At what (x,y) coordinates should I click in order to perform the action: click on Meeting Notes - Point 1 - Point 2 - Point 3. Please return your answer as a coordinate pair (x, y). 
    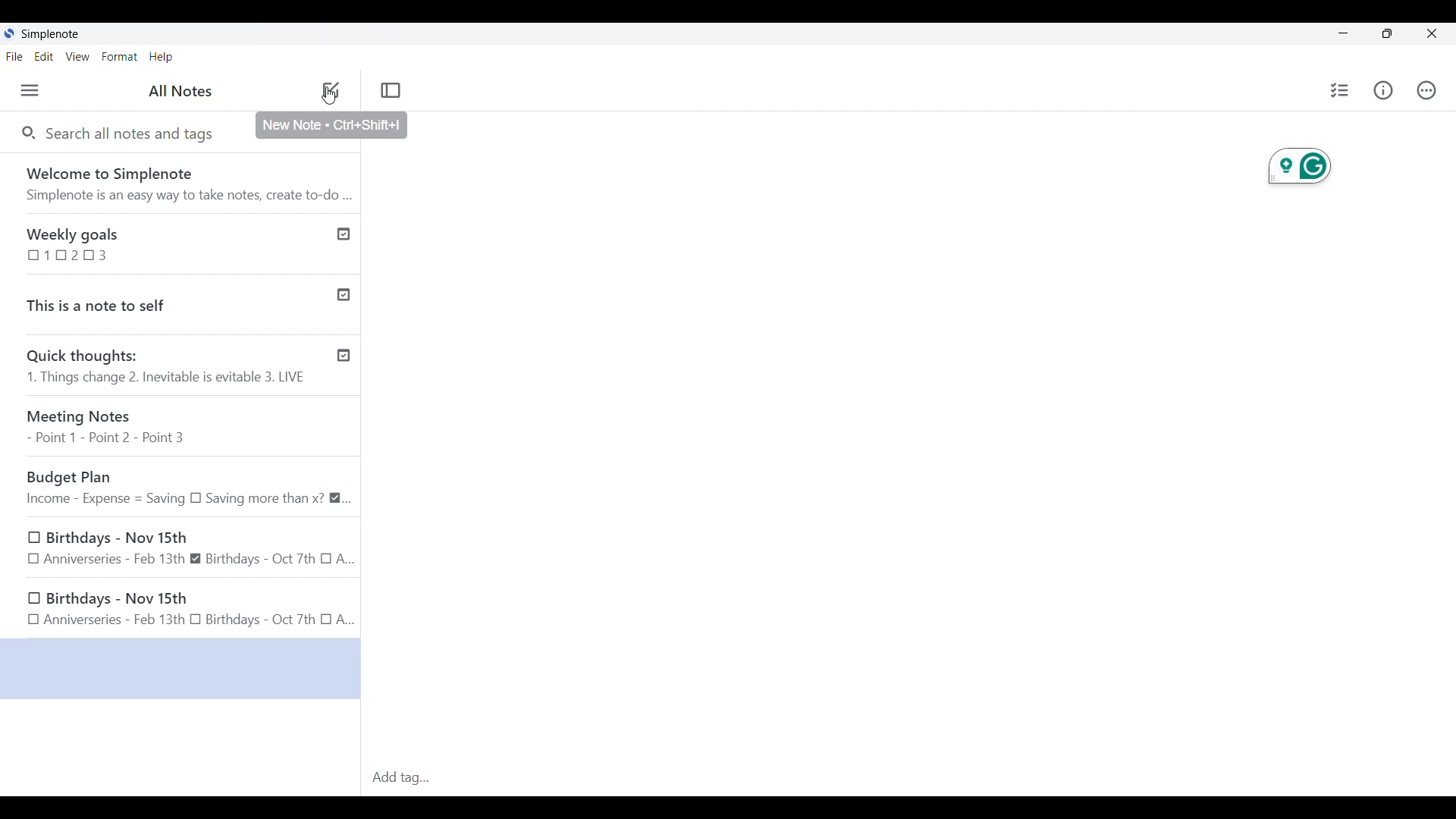
    Looking at the image, I should click on (186, 428).